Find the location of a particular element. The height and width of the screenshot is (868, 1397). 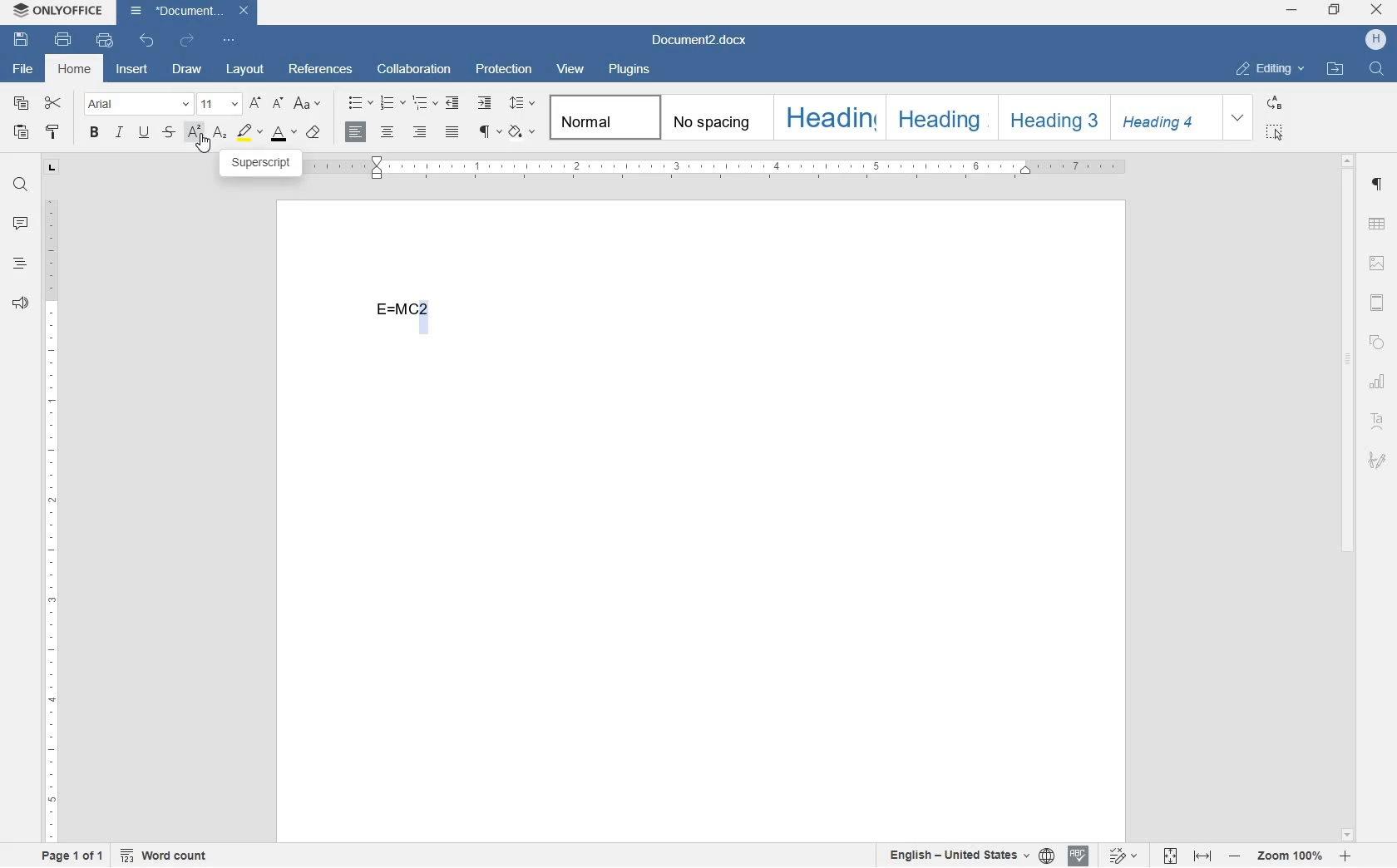

customize quick access toolbar is located at coordinates (229, 40).